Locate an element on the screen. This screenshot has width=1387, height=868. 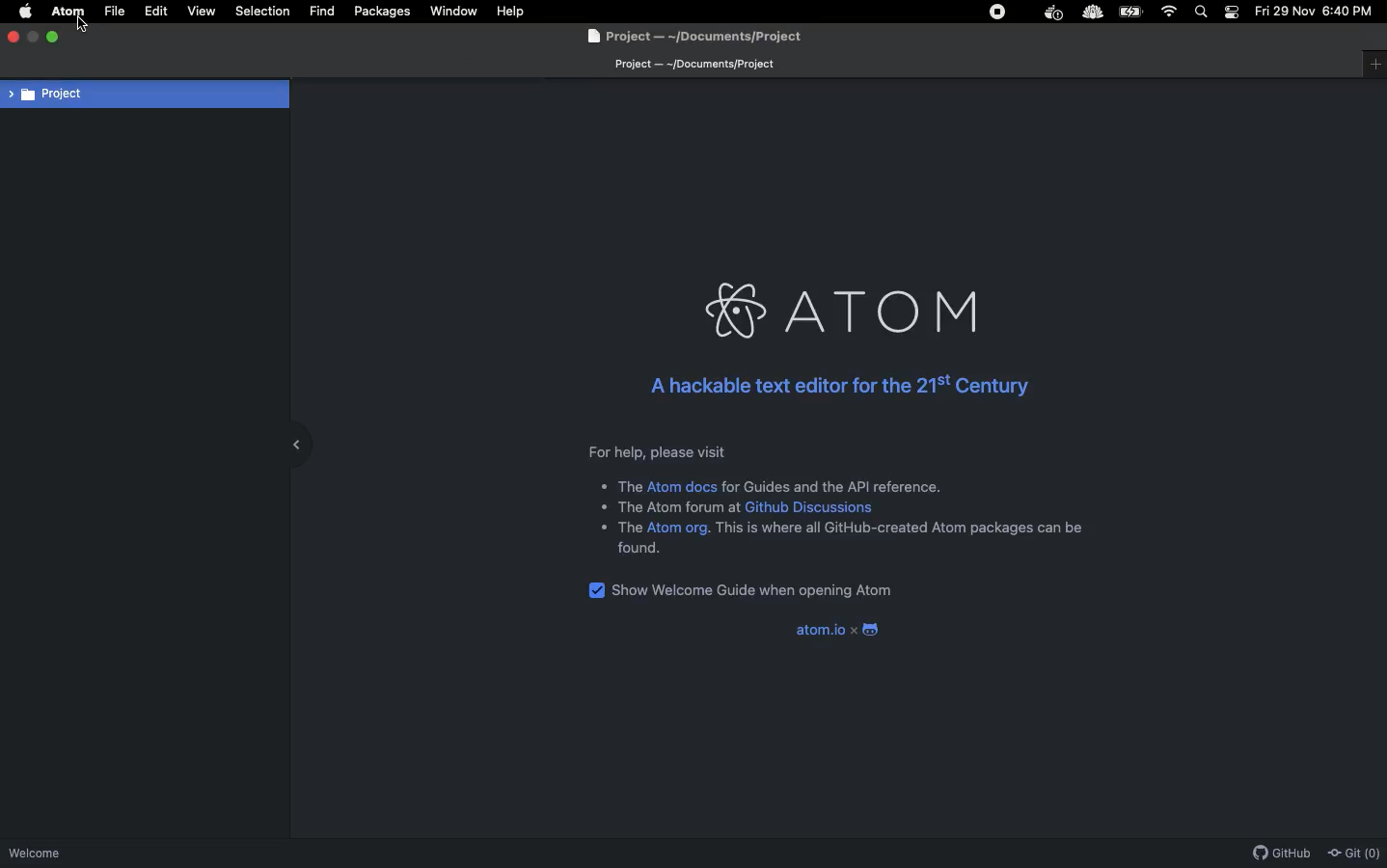
Charge is located at coordinates (1133, 12).